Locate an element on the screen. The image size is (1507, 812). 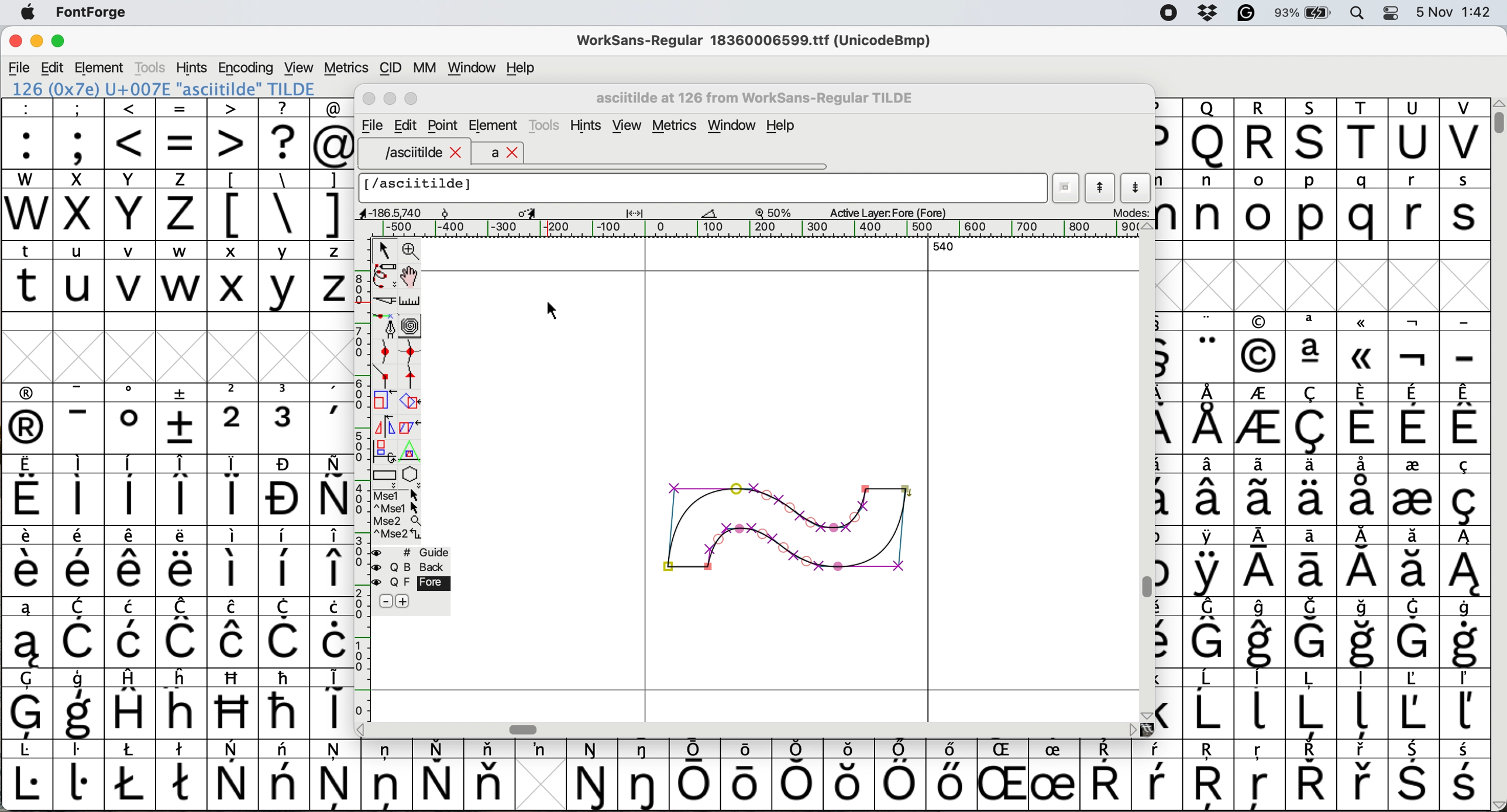
symbol is located at coordinates (1210, 704).